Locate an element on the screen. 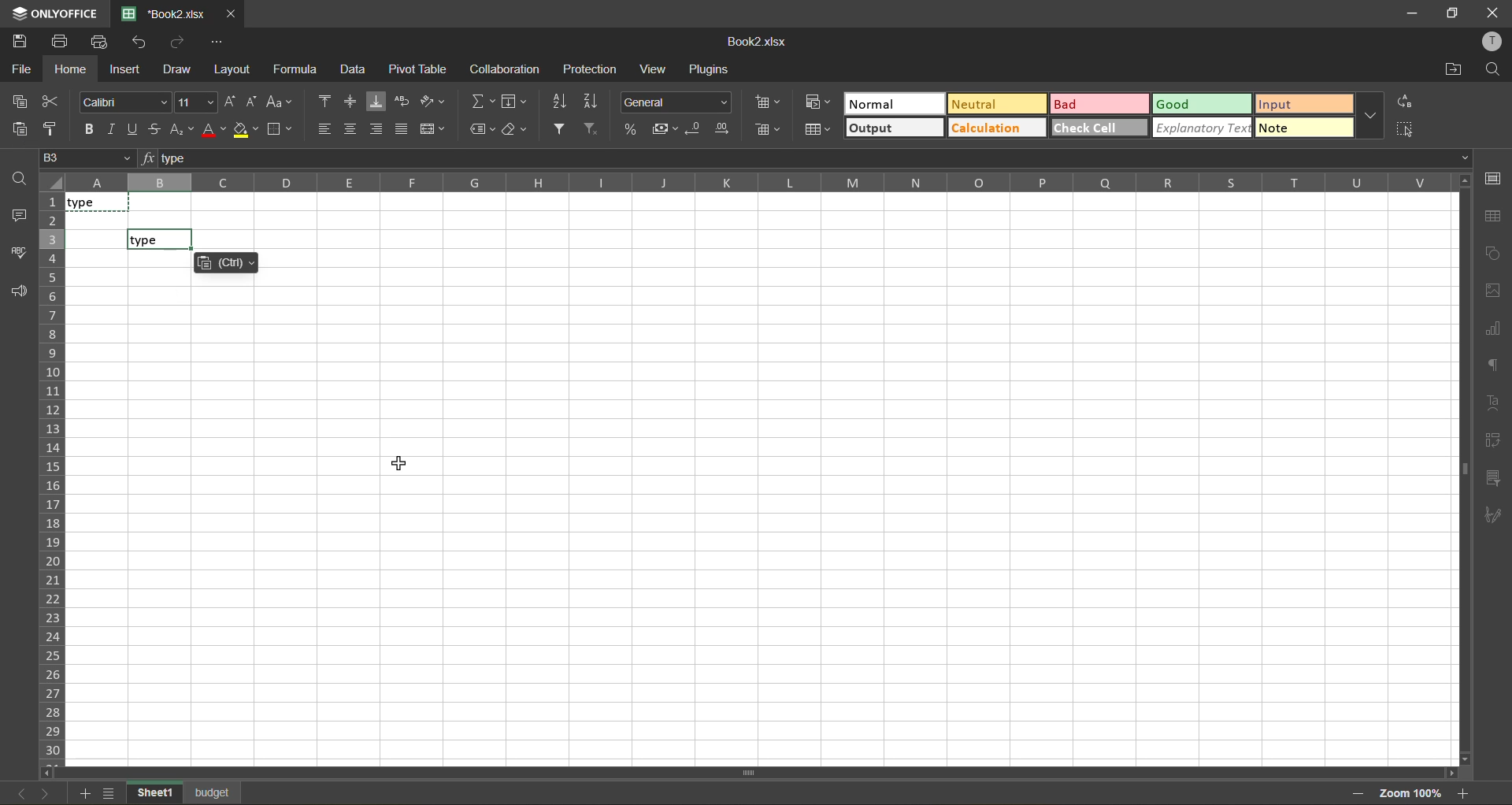 This screenshot has width=1512, height=805. accounting is located at coordinates (663, 128).